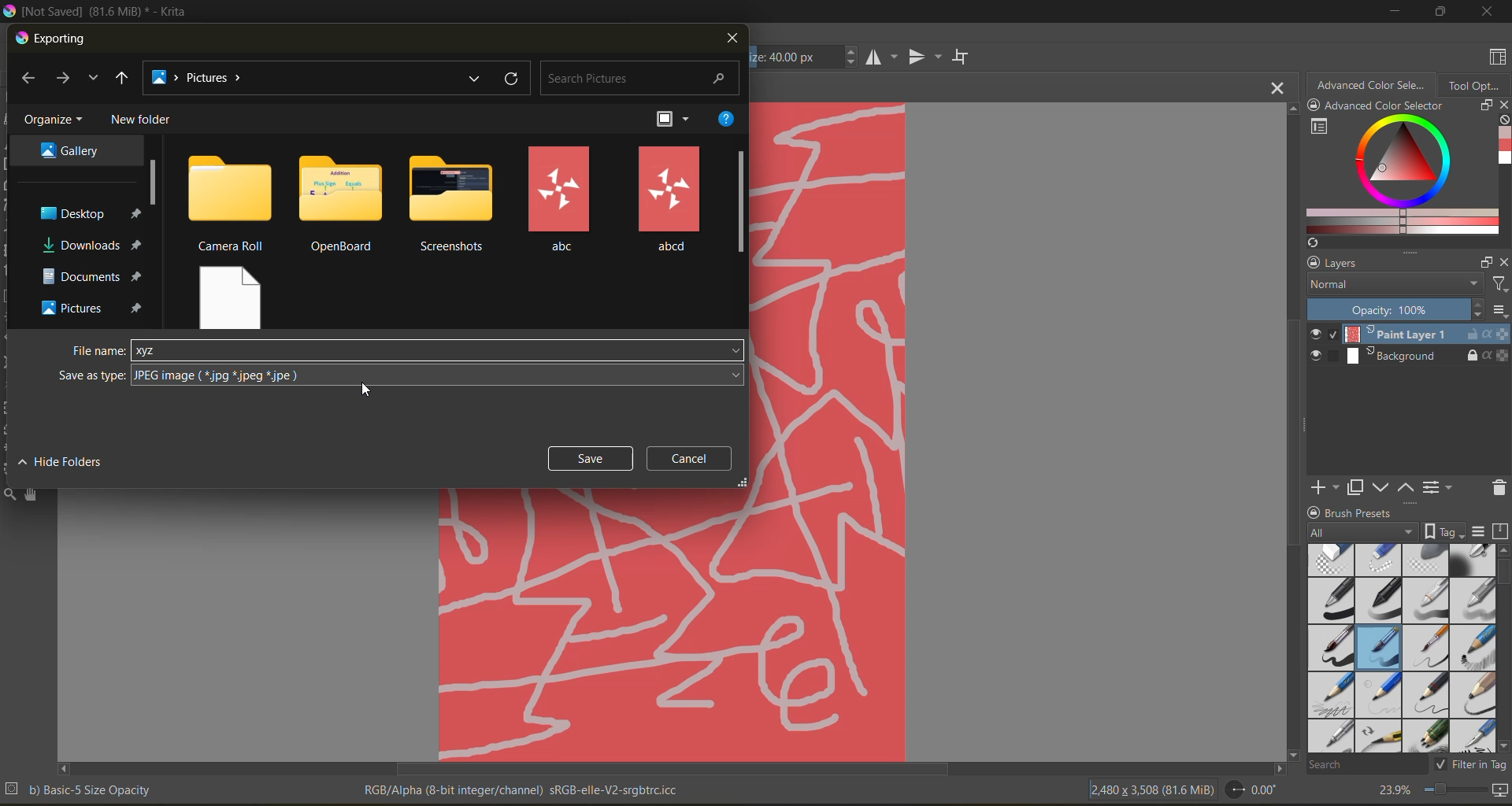  What do you see at coordinates (1322, 486) in the screenshot?
I see `add` at bounding box center [1322, 486].